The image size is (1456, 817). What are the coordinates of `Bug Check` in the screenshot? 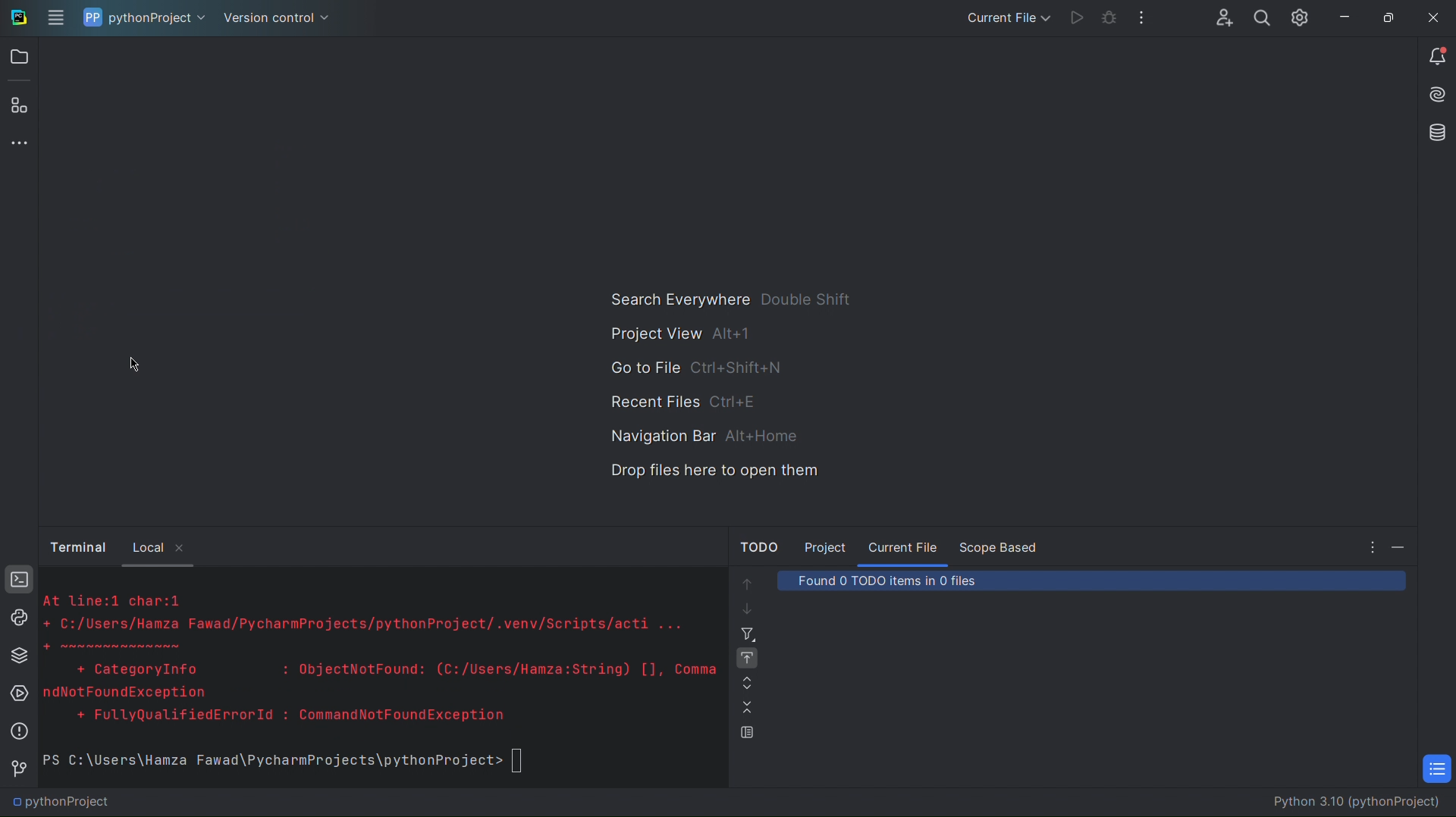 It's located at (1107, 19).